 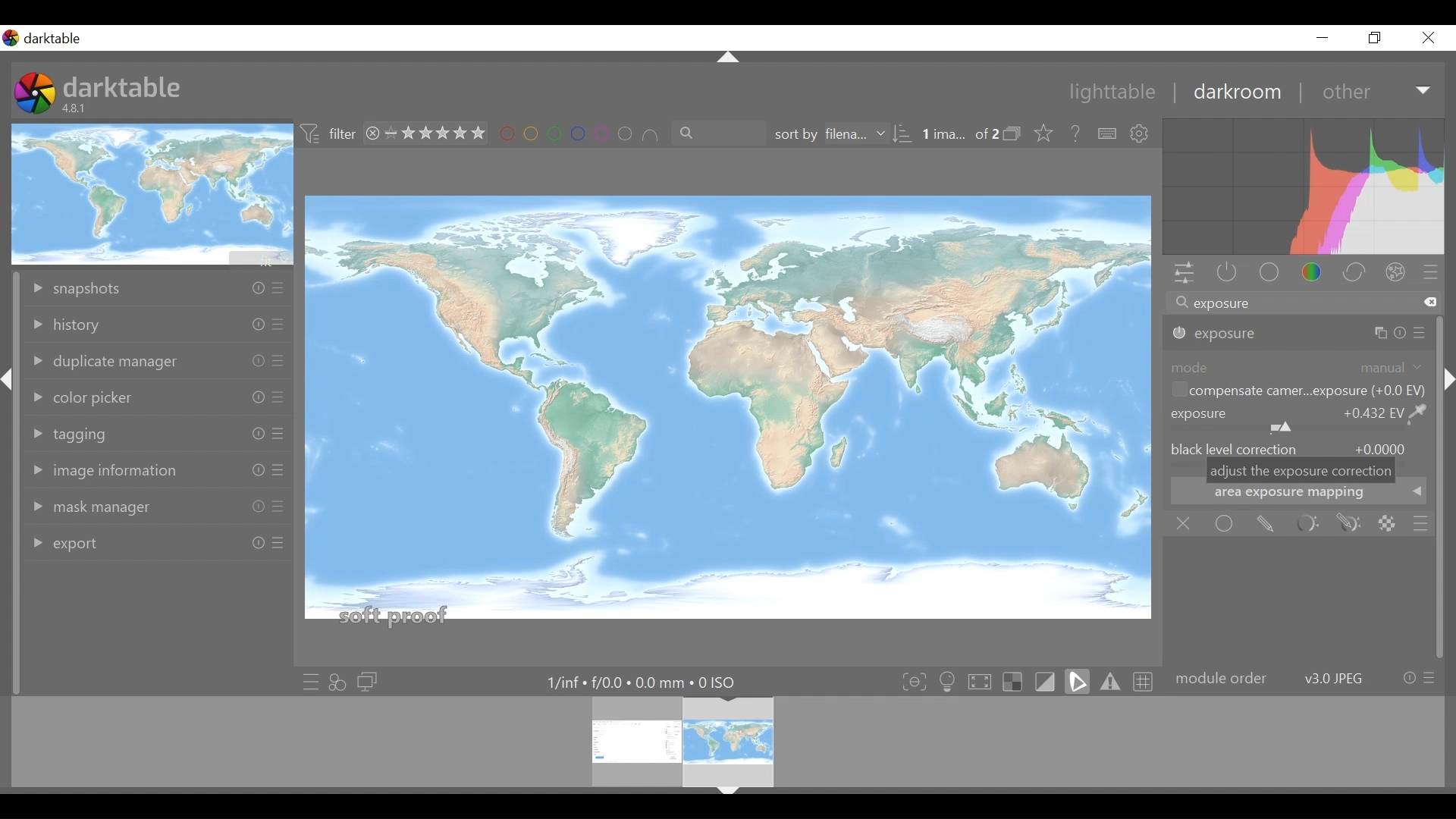 What do you see at coordinates (959, 135) in the screenshot?
I see `image selected out of` at bounding box center [959, 135].